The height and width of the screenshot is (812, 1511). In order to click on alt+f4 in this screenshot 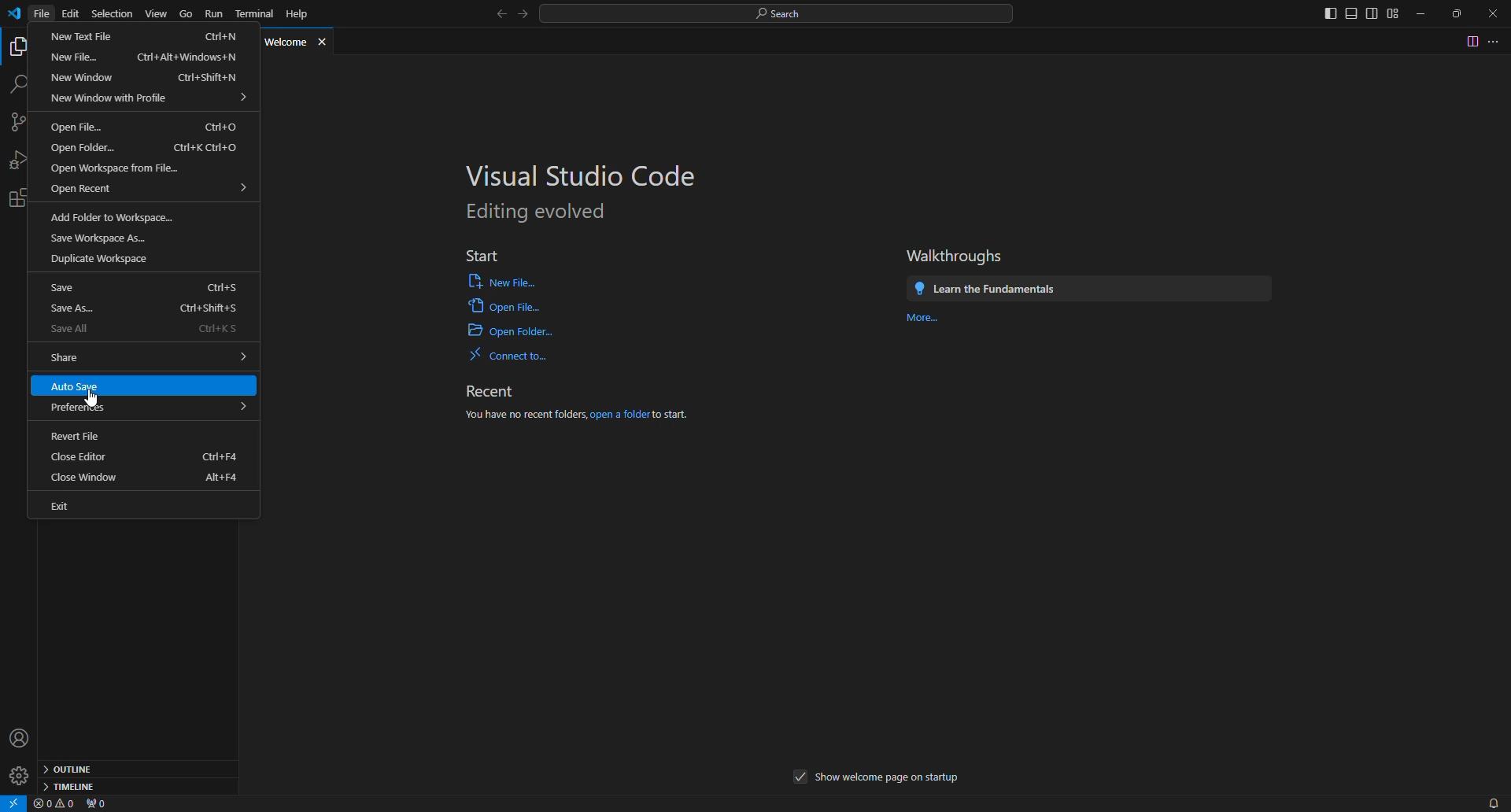, I will do `click(220, 478)`.